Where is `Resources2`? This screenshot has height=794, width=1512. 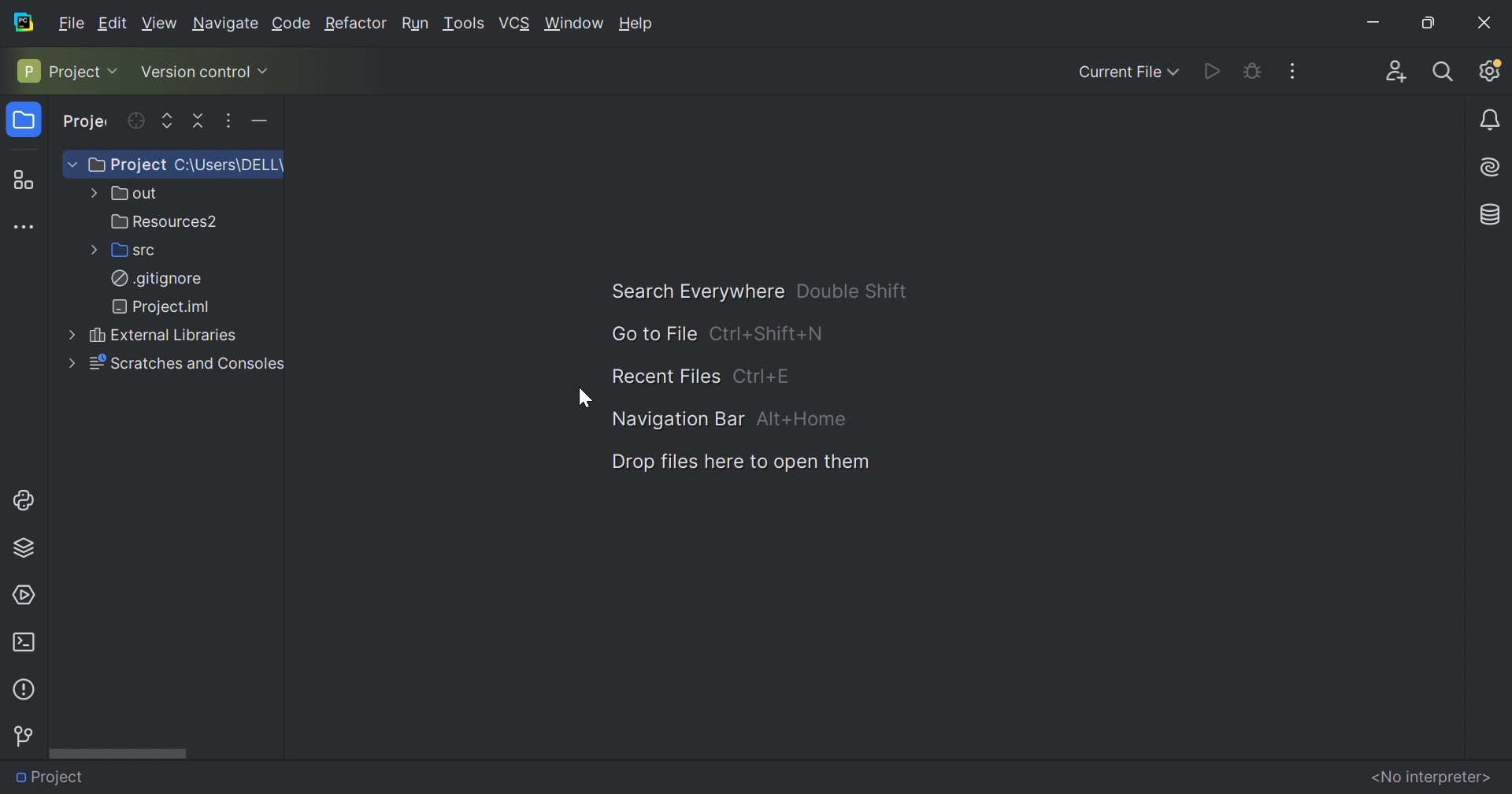 Resources2 is located at coordinates (163, 221).